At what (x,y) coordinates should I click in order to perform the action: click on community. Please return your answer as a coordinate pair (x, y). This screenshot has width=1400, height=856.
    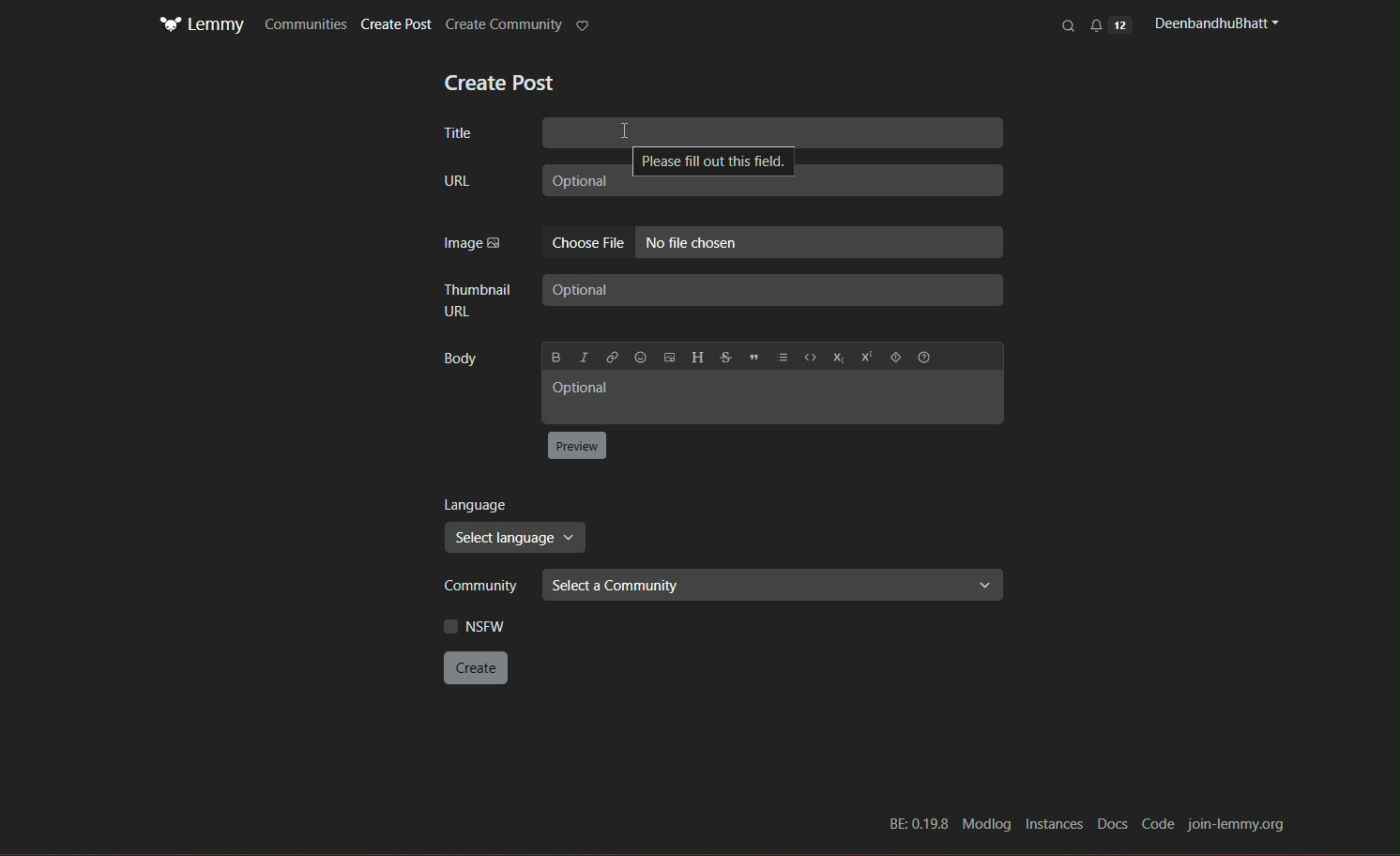
    Looking at the image, I should click on (483, 587).